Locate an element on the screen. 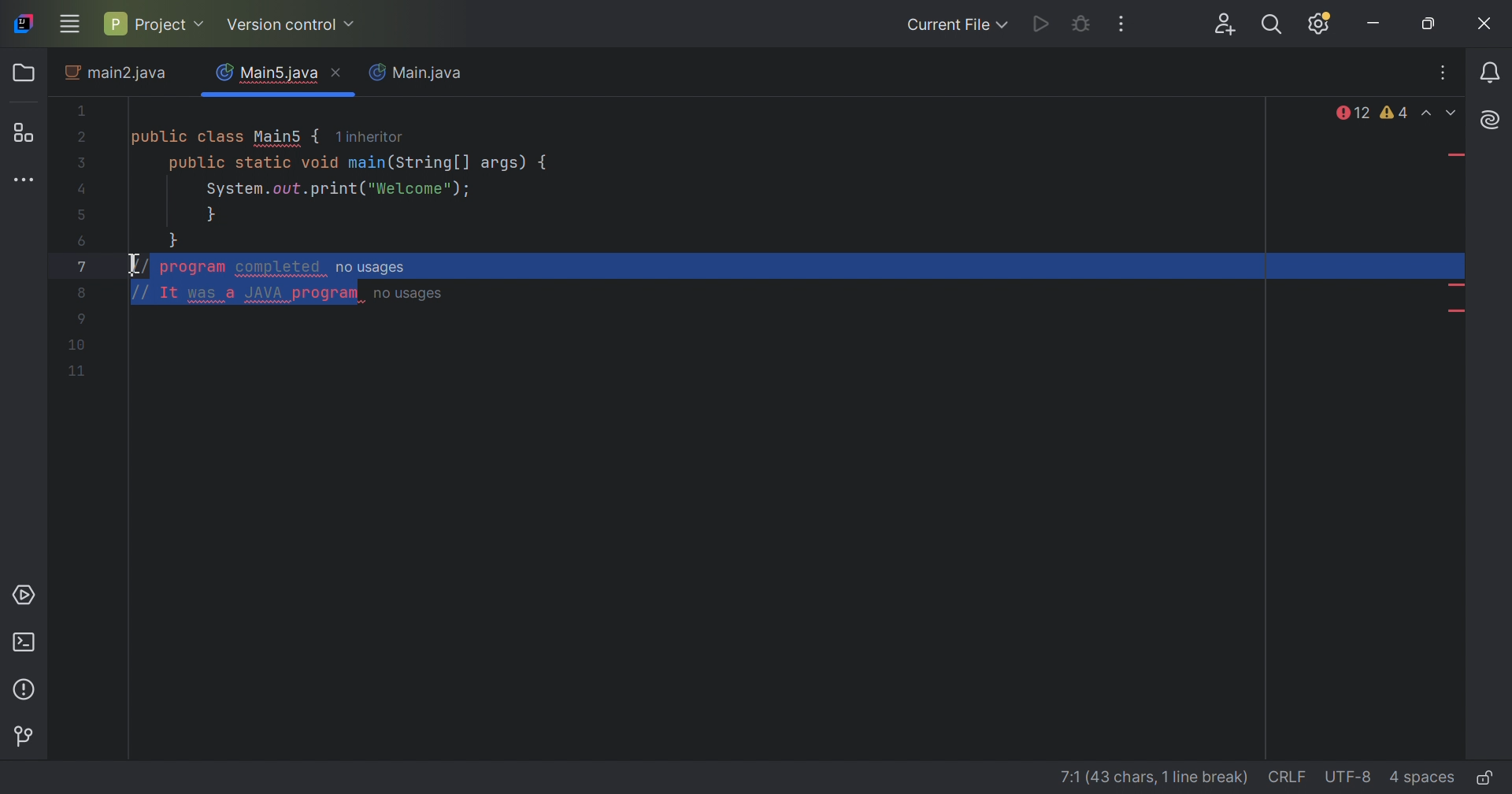 This screenshot has width=1512, height=794. Close is located at coordinates (1486, 25).